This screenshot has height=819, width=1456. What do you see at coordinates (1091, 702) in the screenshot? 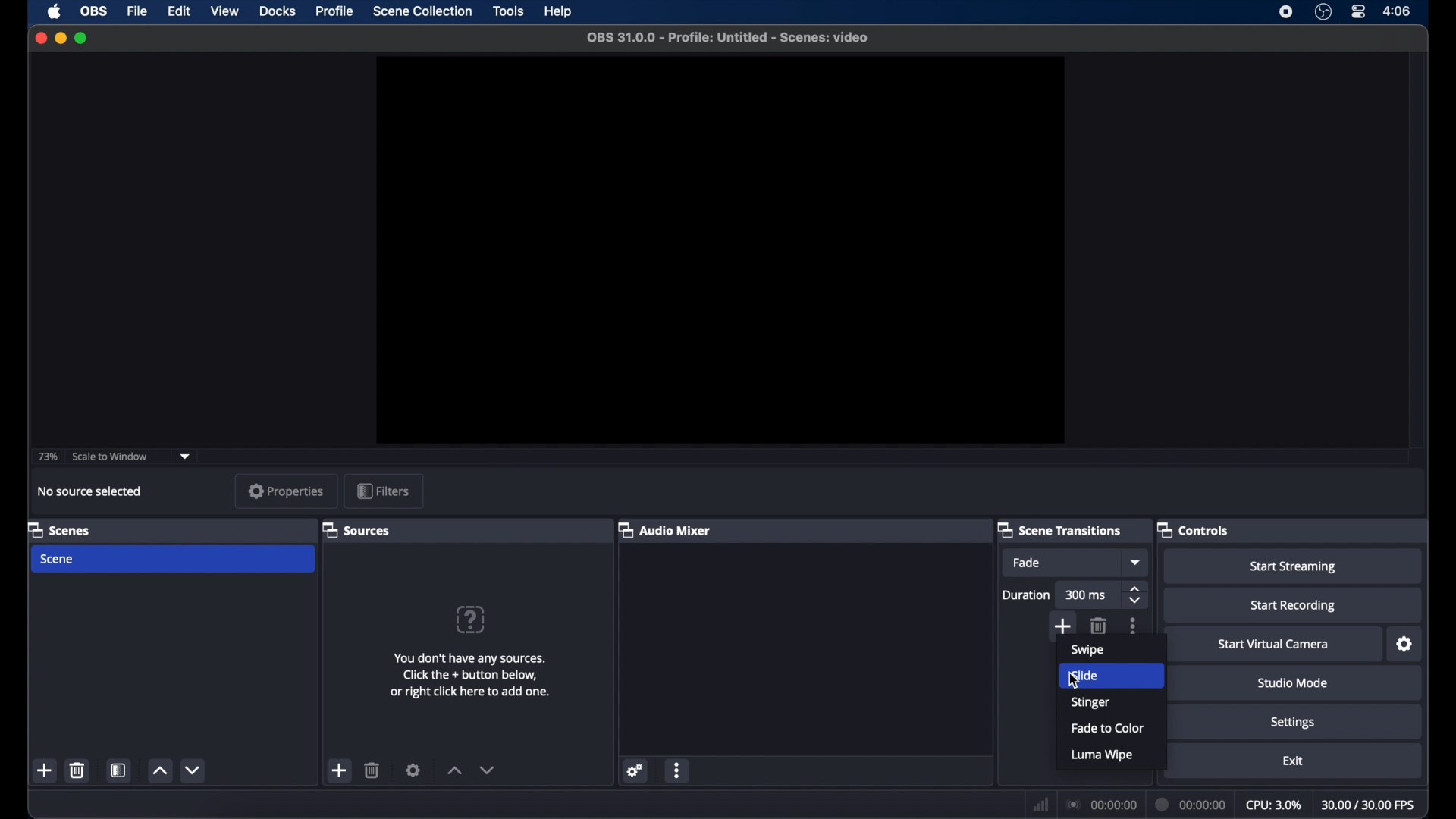
I see `stinger` at bounding box center [1091, 702].